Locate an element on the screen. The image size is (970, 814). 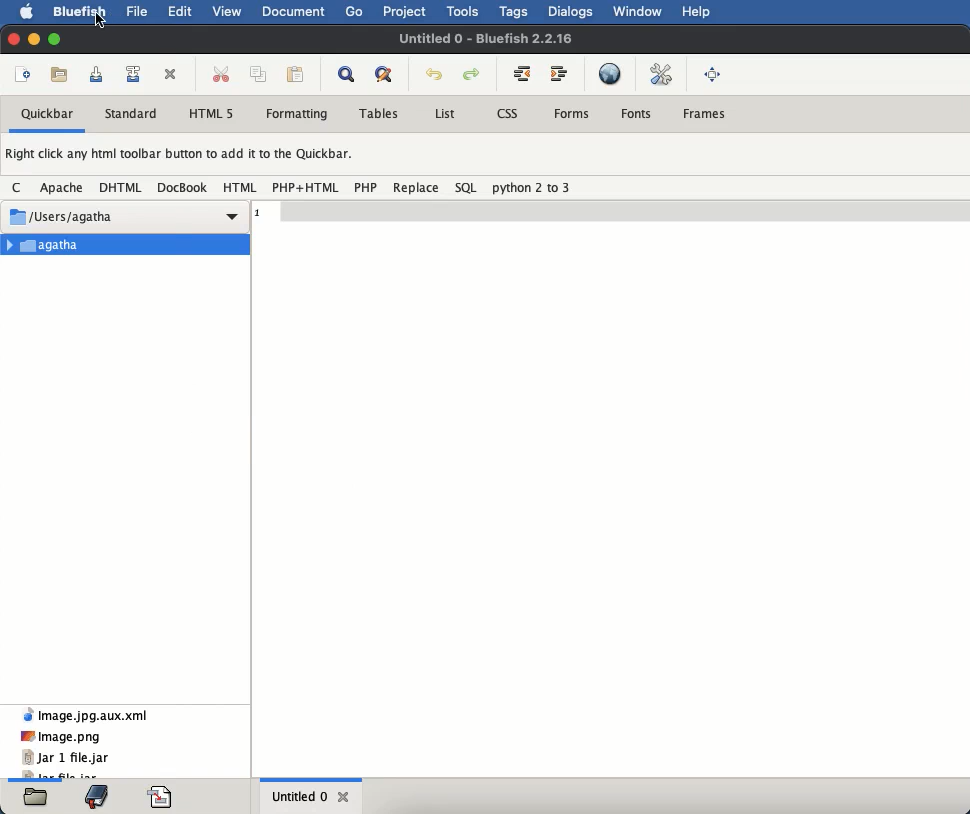
maximize is located at coordinates (54, 37).